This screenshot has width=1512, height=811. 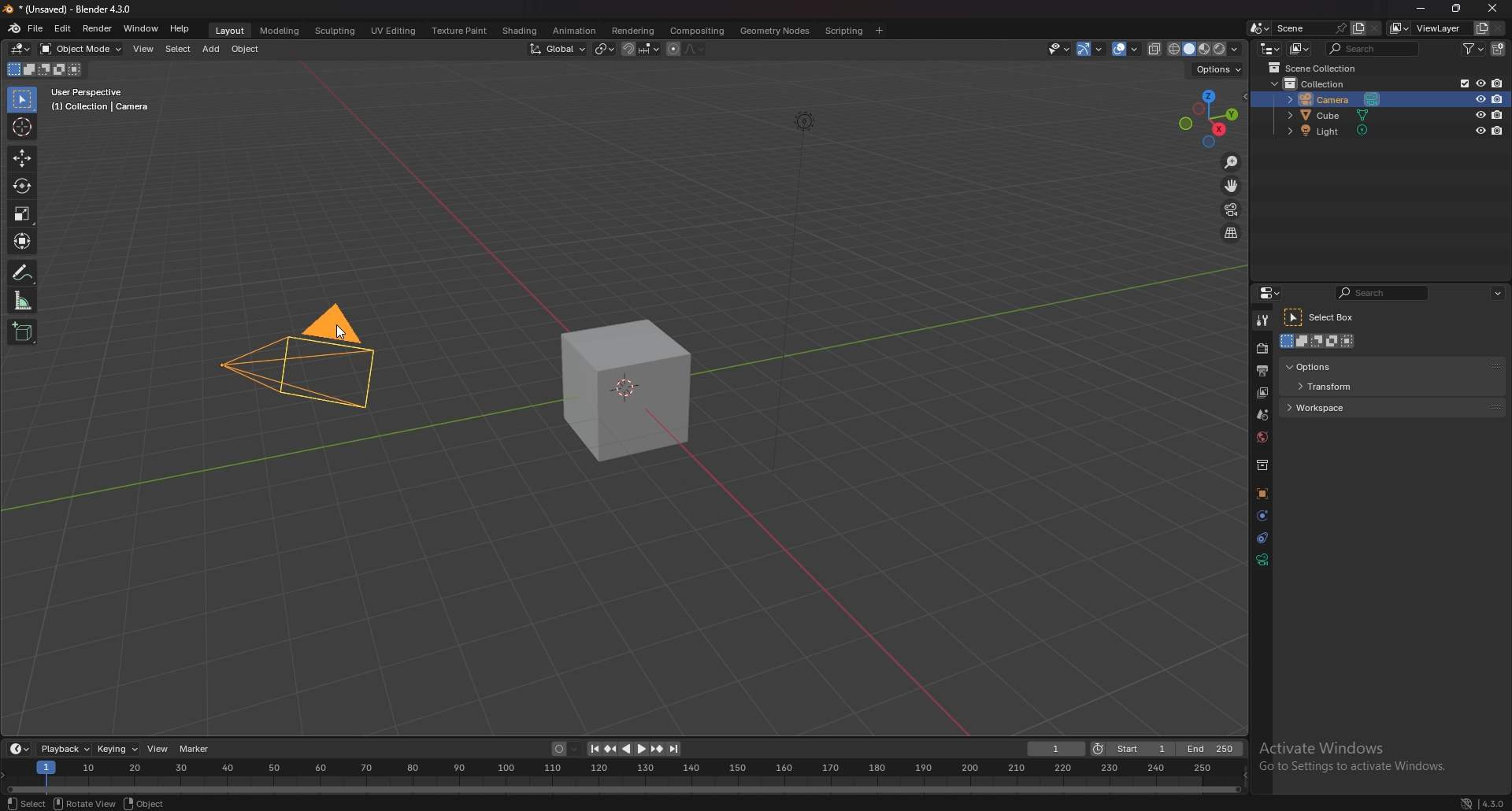 I want to click on 4.3.0, so click(x=1484, y=802).